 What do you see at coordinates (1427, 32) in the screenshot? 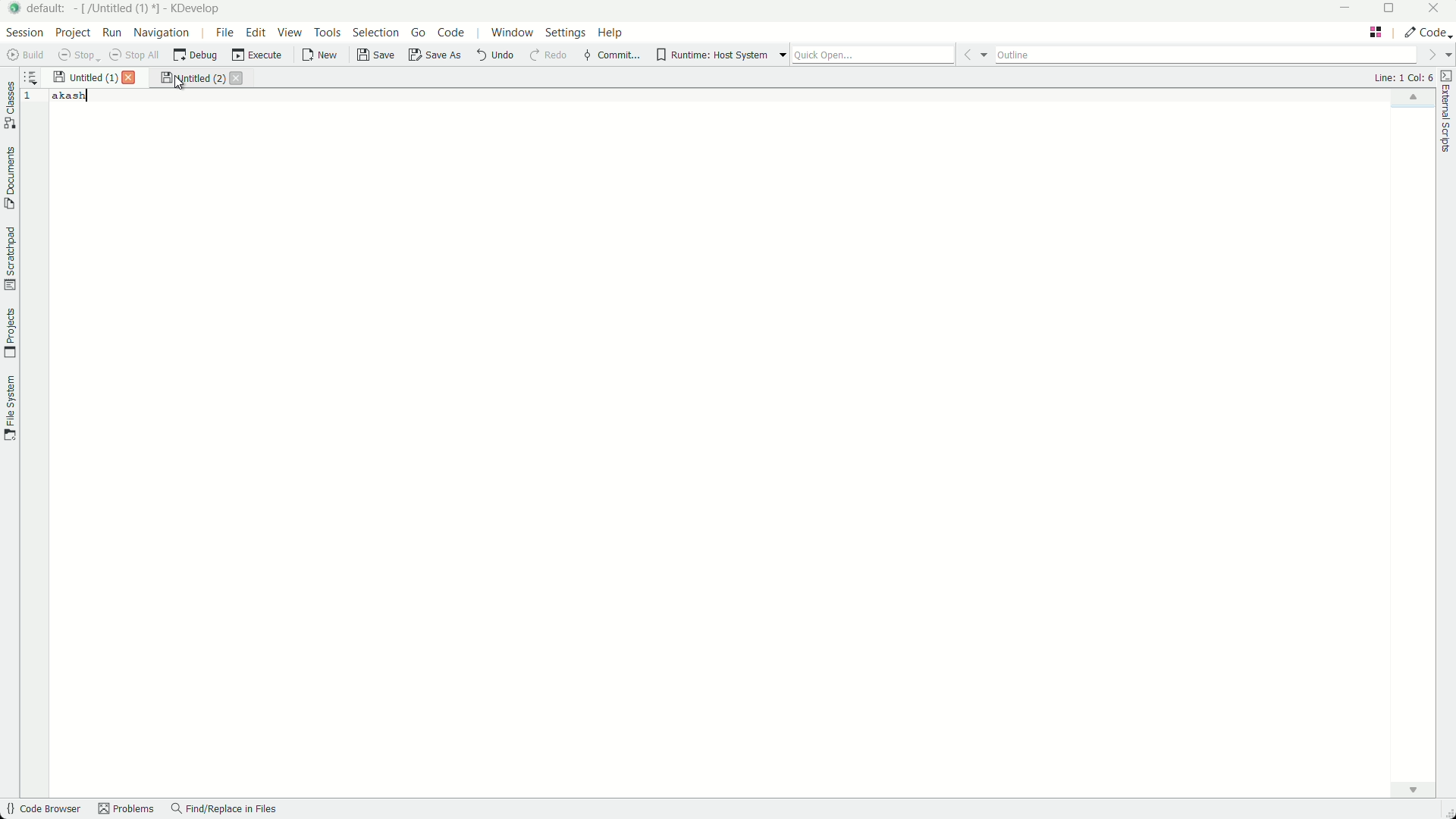
I see `execute actions to change the area` at bounding box center [1427, 32].